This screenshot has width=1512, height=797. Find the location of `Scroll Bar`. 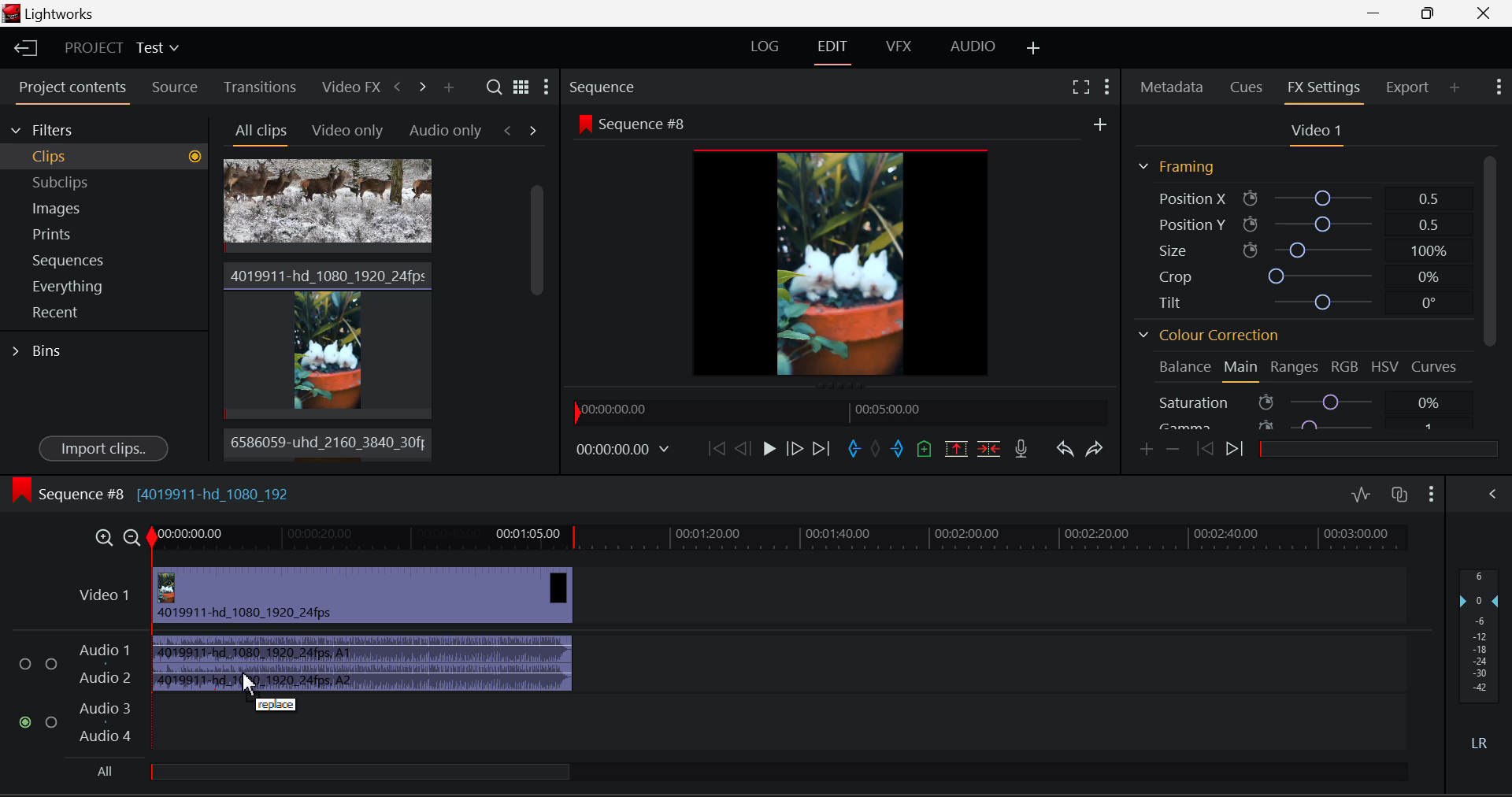

Scroll Bar is located at coordinates (535, 313).